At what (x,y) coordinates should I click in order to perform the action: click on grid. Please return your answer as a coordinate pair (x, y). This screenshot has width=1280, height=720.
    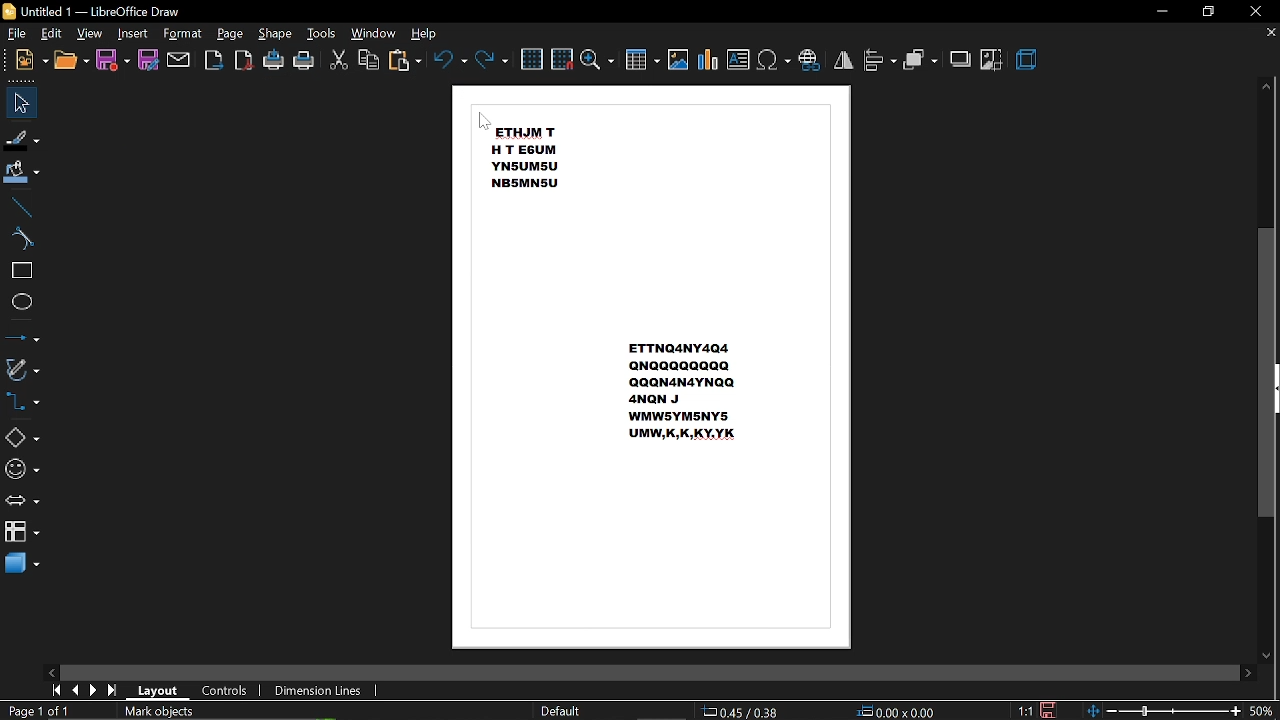
    Looking at the image, I should click on (532, 58).